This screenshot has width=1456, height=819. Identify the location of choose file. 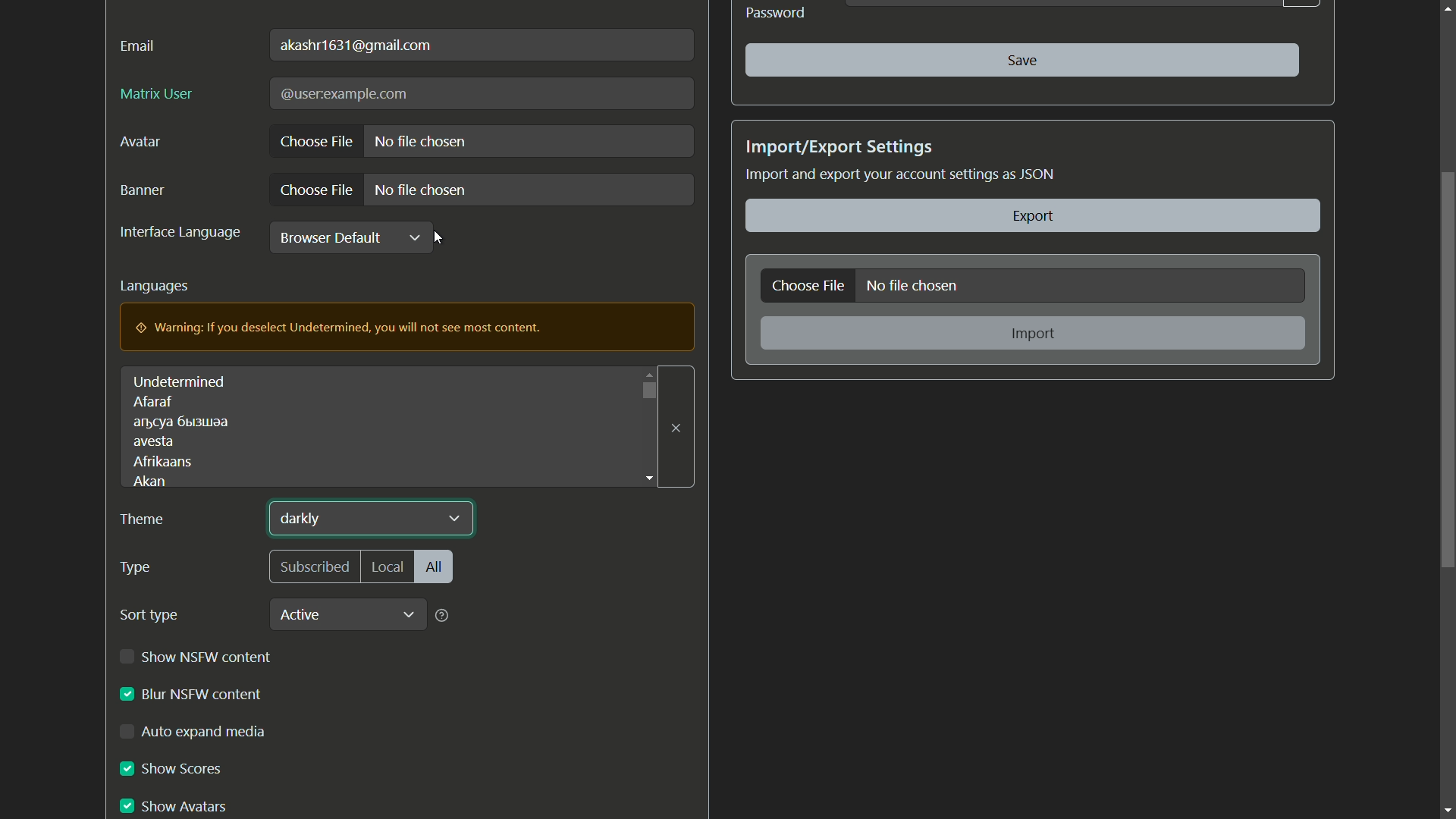
(318, 190).